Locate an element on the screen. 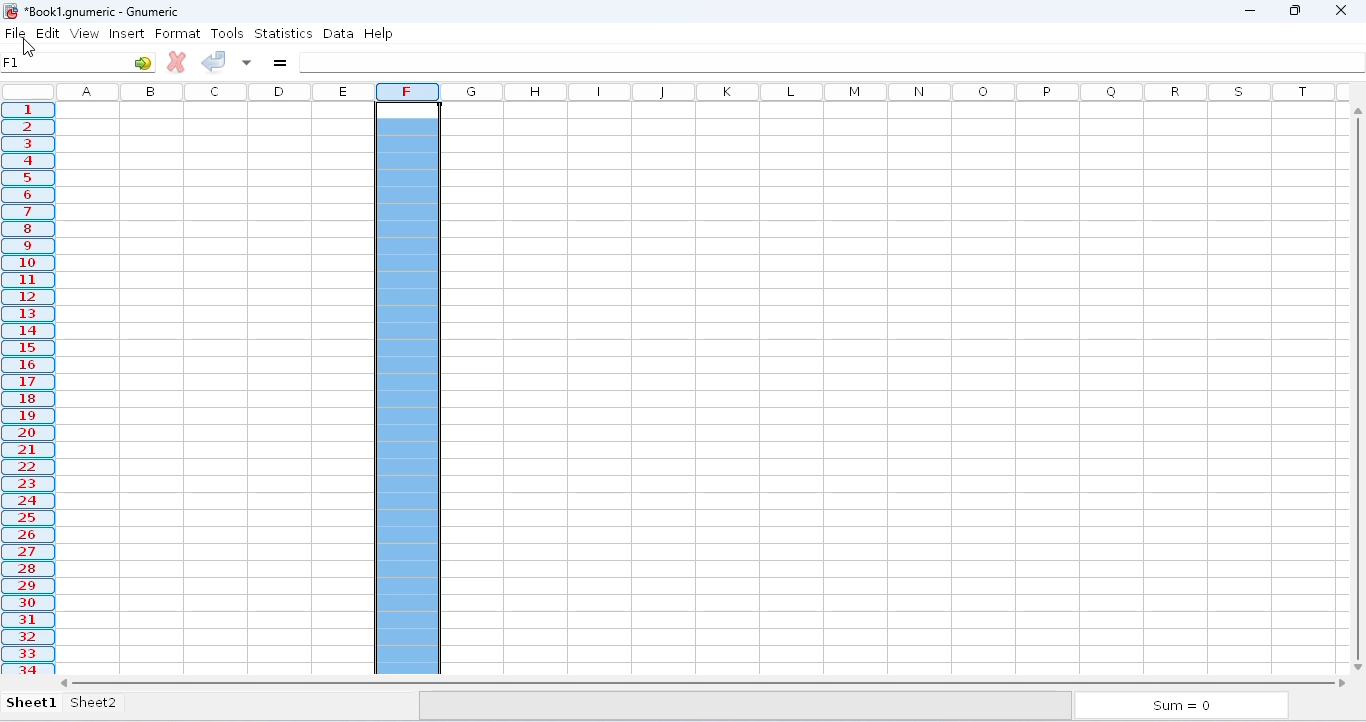 The width and height of the screenshot is (1366, 722). sheet2 is located at coordinates (94, 703).